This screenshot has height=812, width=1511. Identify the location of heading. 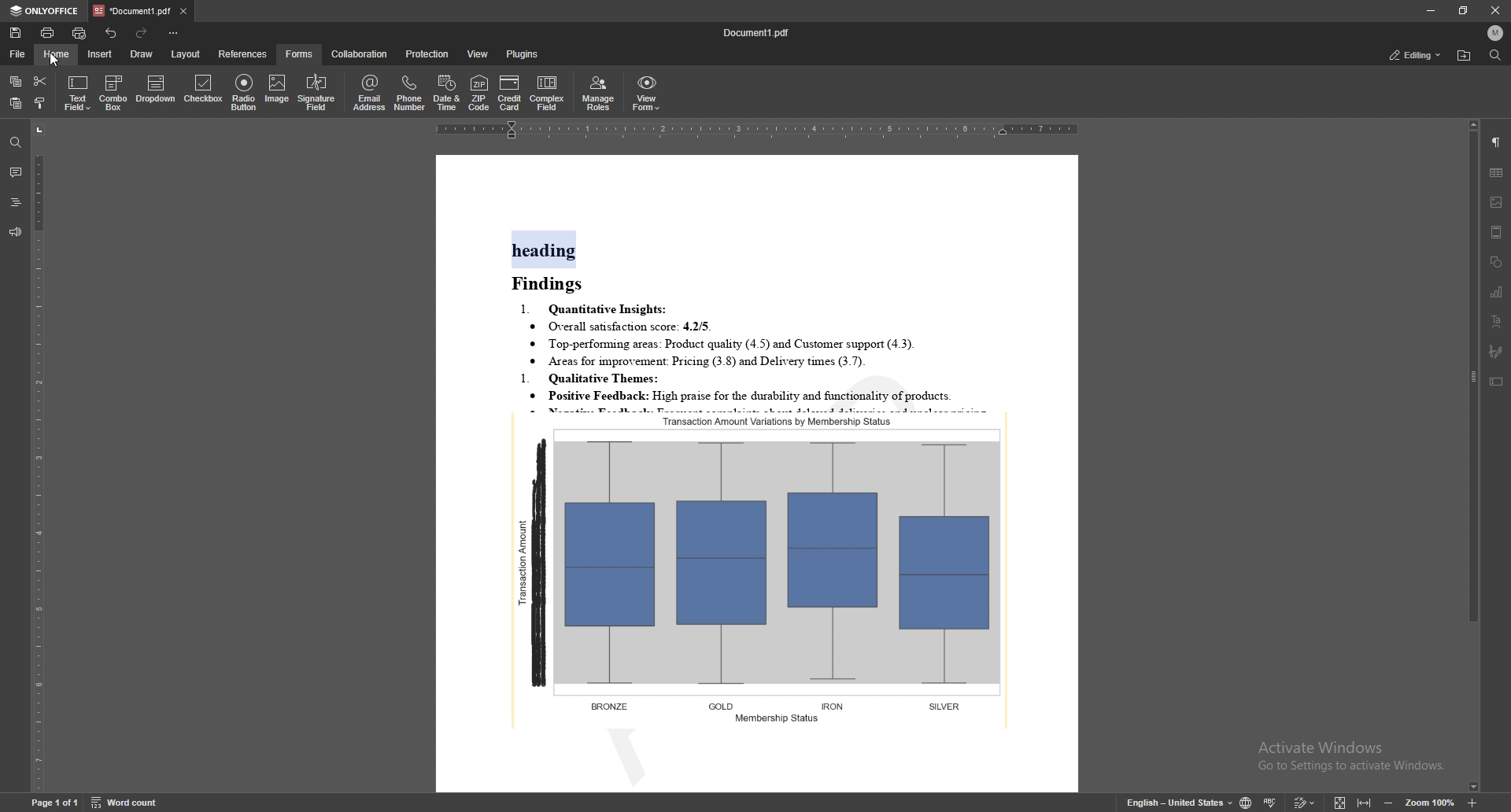
(16, 203).